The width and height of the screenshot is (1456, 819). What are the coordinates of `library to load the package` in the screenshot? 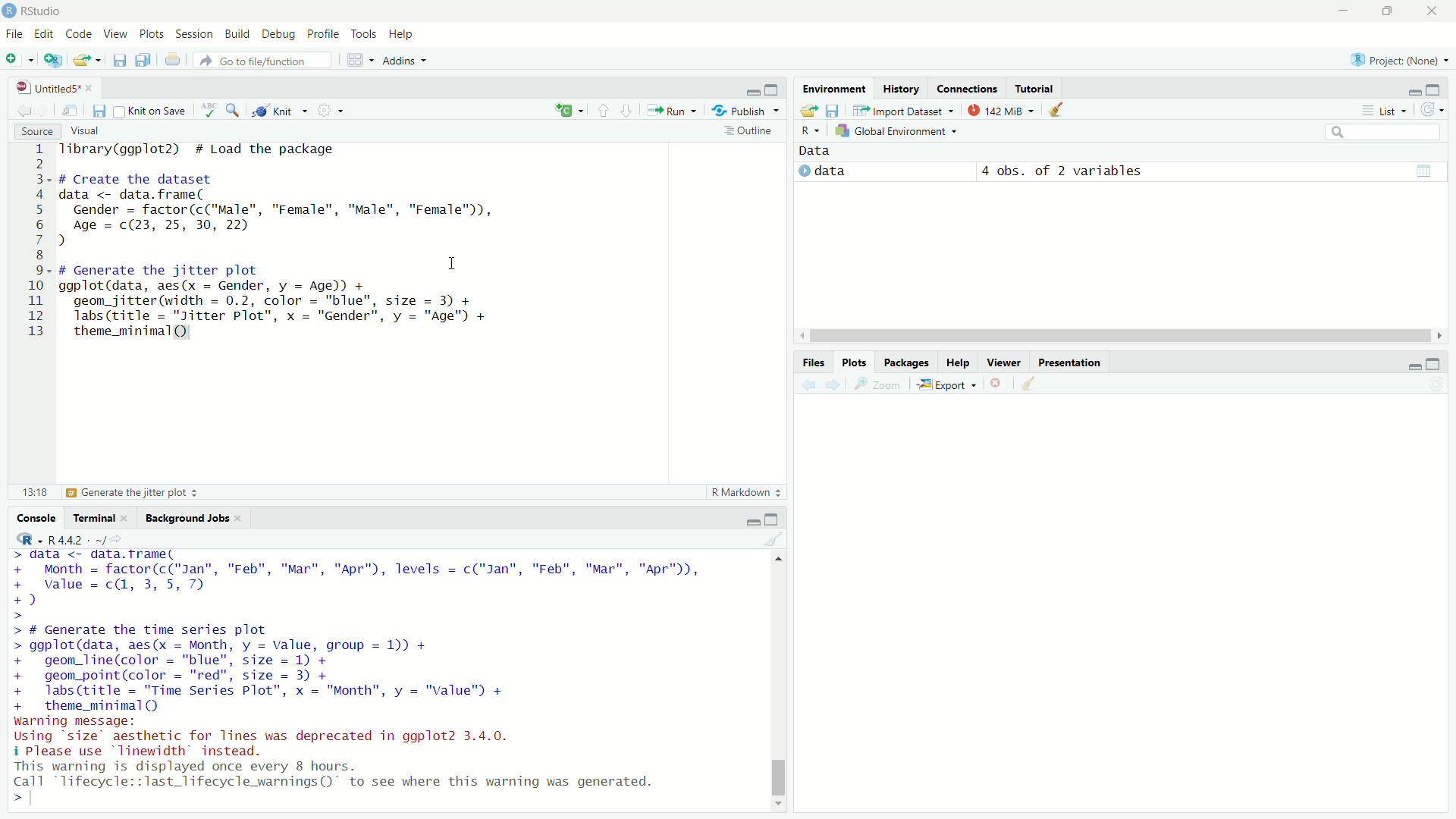 It's located at (207, 149).